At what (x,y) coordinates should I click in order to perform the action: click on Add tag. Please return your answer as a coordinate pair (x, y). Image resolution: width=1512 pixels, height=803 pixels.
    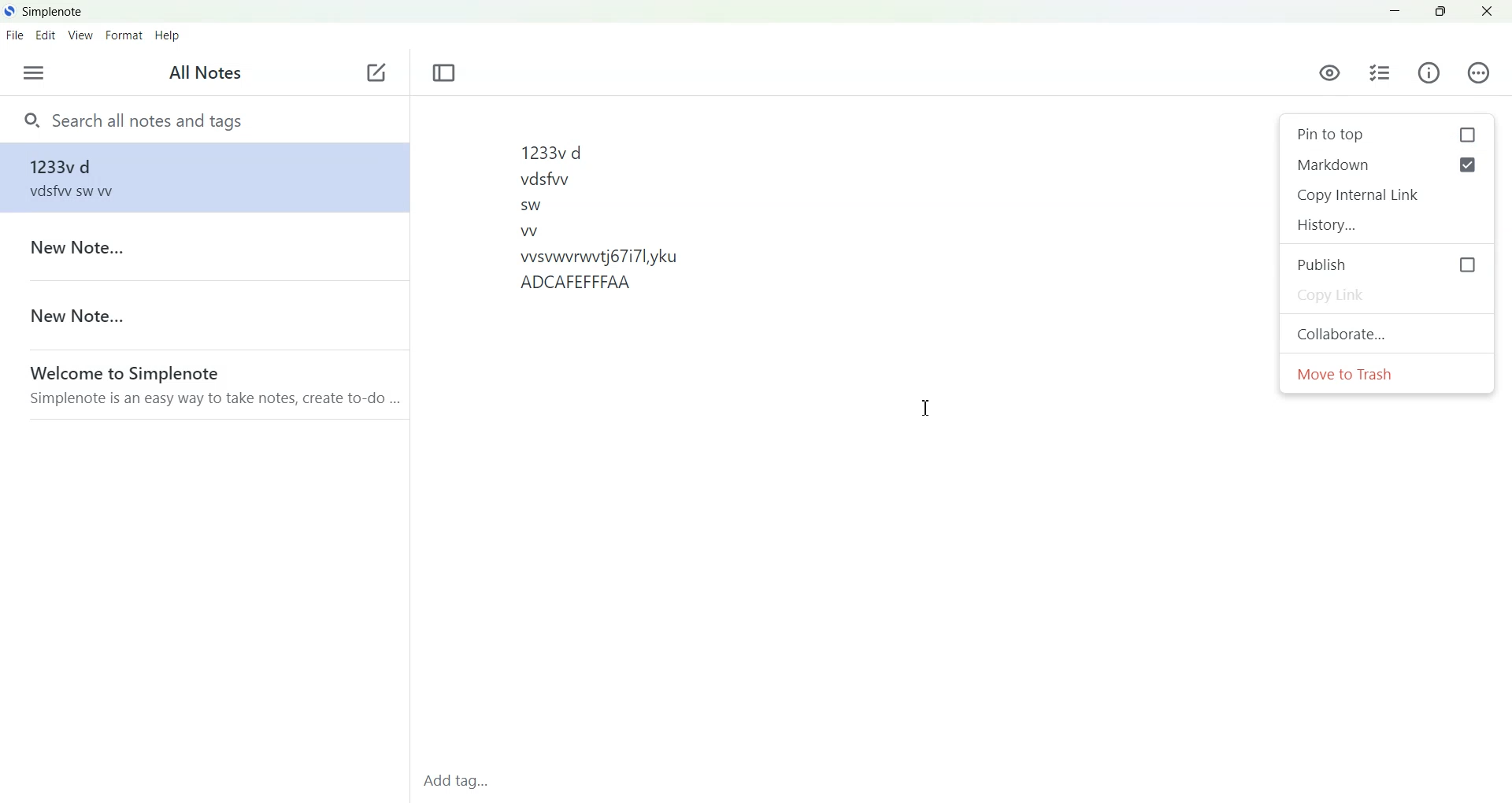
    Looking at the image, I should click on (462, 785).